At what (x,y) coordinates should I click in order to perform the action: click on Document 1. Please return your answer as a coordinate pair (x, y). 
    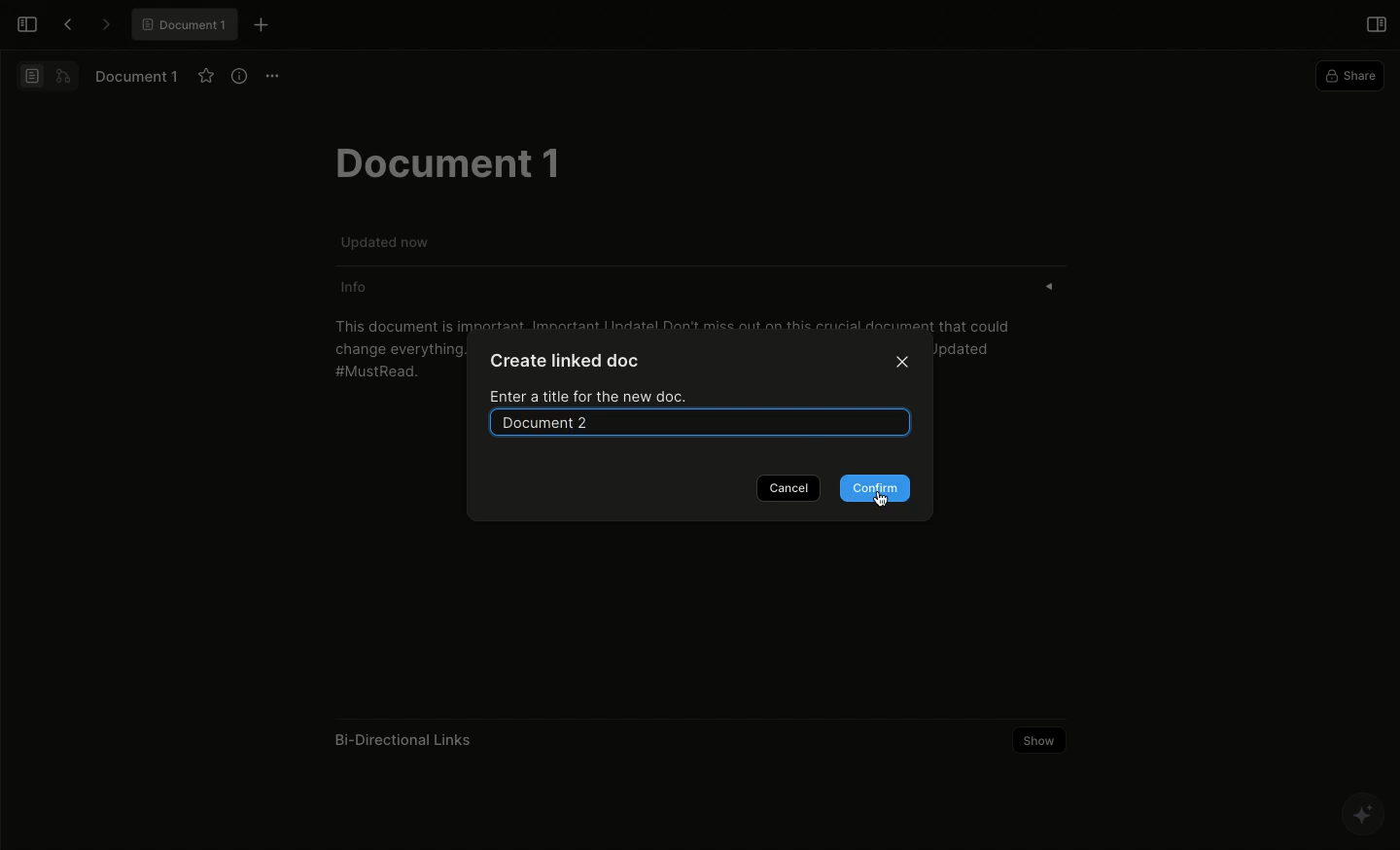
    Looking at the image, I should click on (139, 76).